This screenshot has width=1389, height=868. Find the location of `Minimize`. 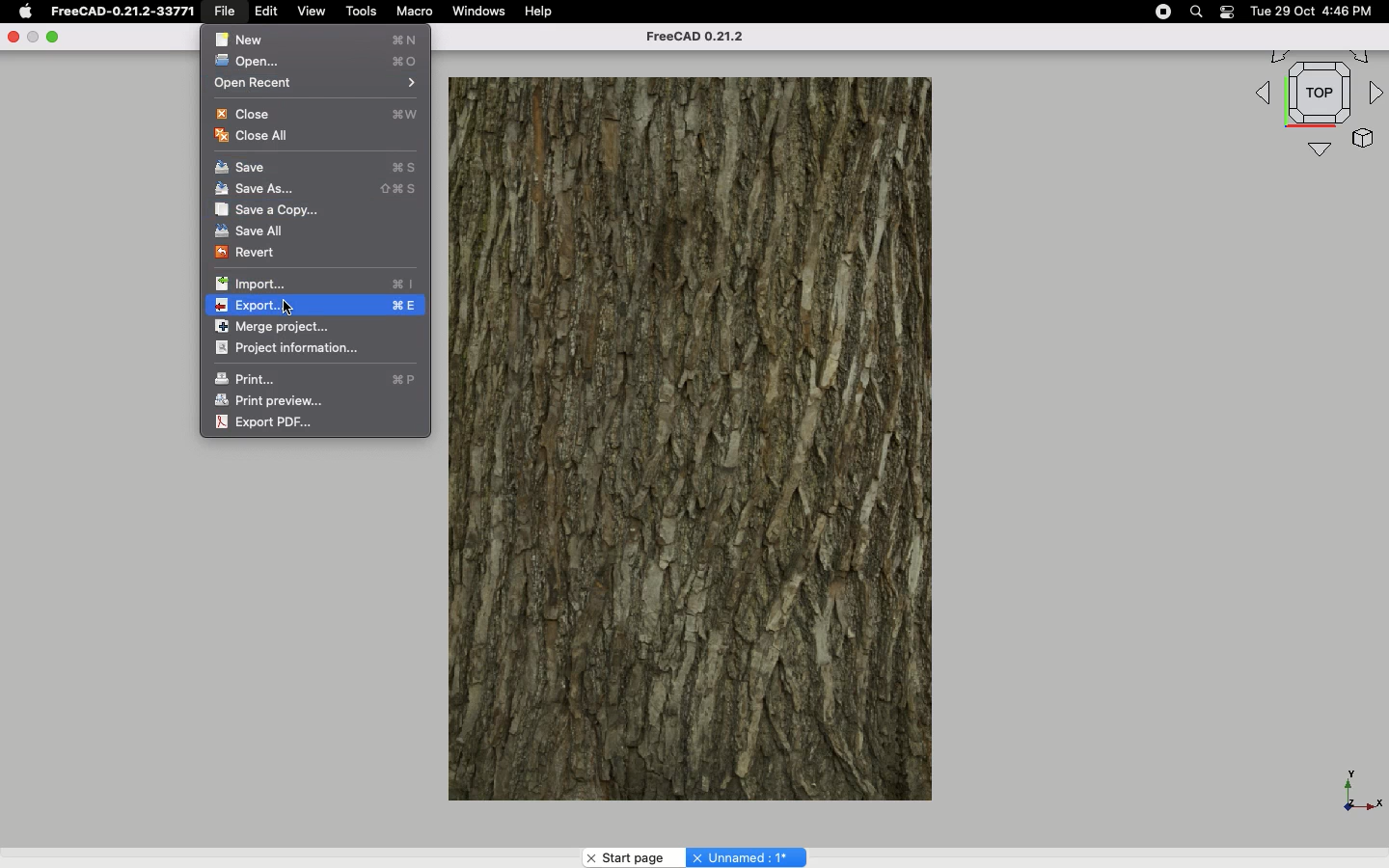

Minimize is located at coordinates (53, 38).